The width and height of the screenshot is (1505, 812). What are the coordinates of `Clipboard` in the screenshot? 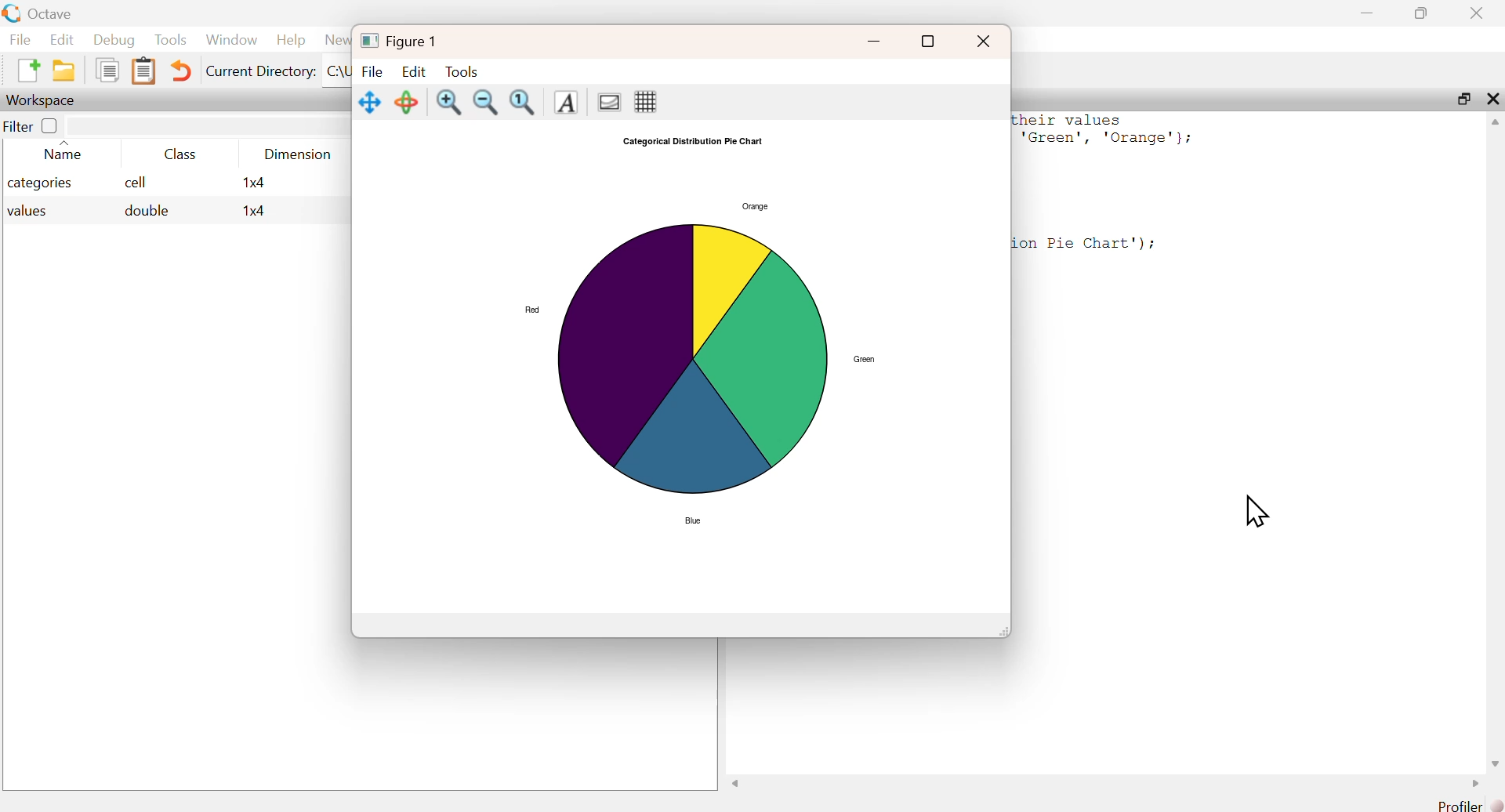 It's located at (143, 71).